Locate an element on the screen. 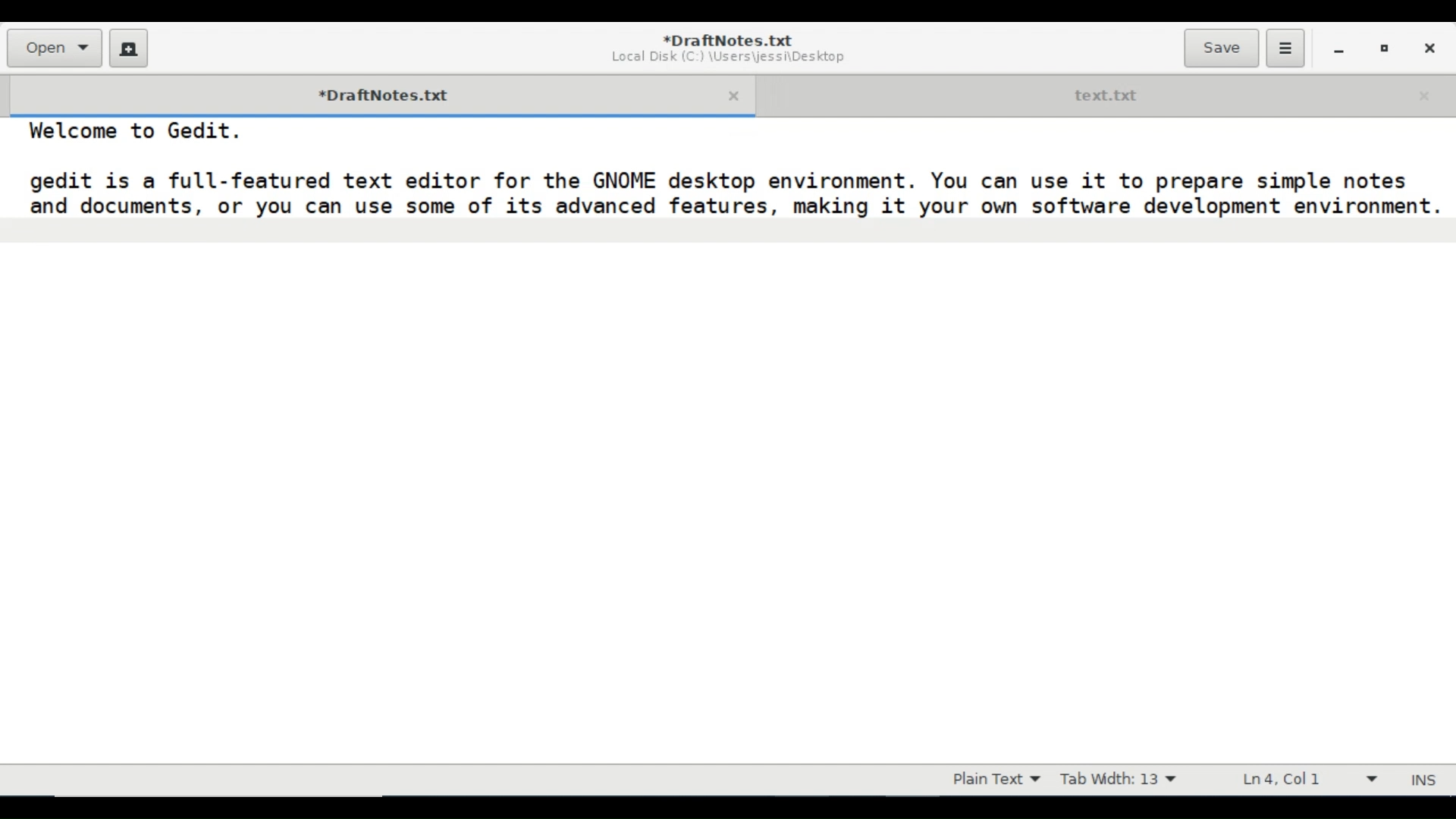 The height and width of the screenshot is (819, 1456). Open Tab is located at coordinates (1104, 93).